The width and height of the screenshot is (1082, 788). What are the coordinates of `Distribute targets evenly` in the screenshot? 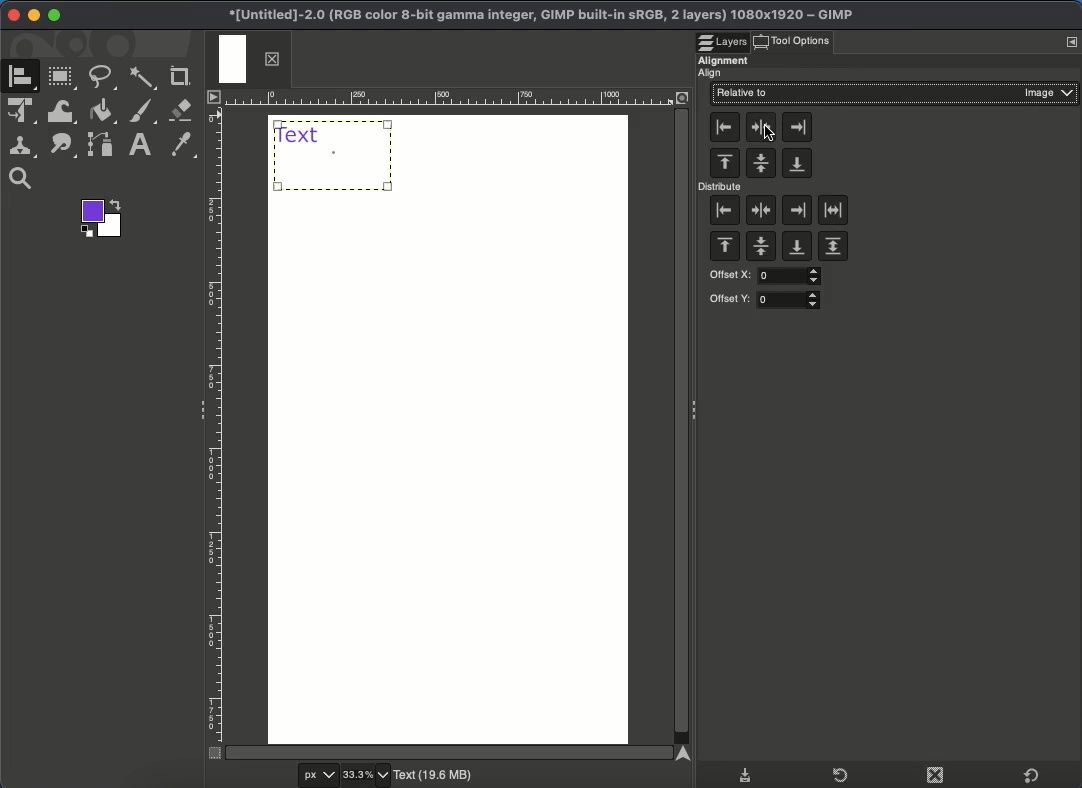 It's located at (834, 211).